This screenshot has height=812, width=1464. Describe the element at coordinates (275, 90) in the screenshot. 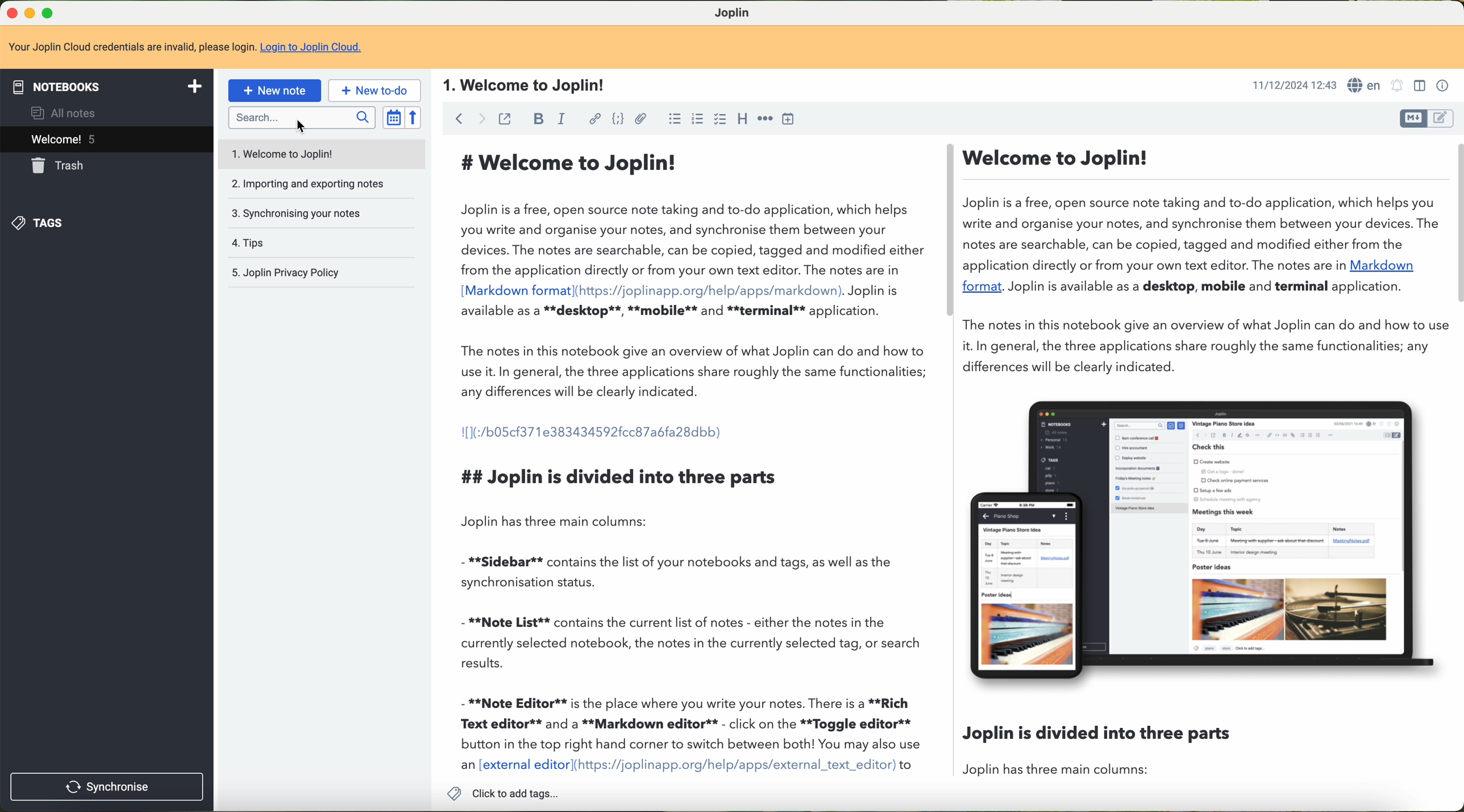

I see `new note` at that location.